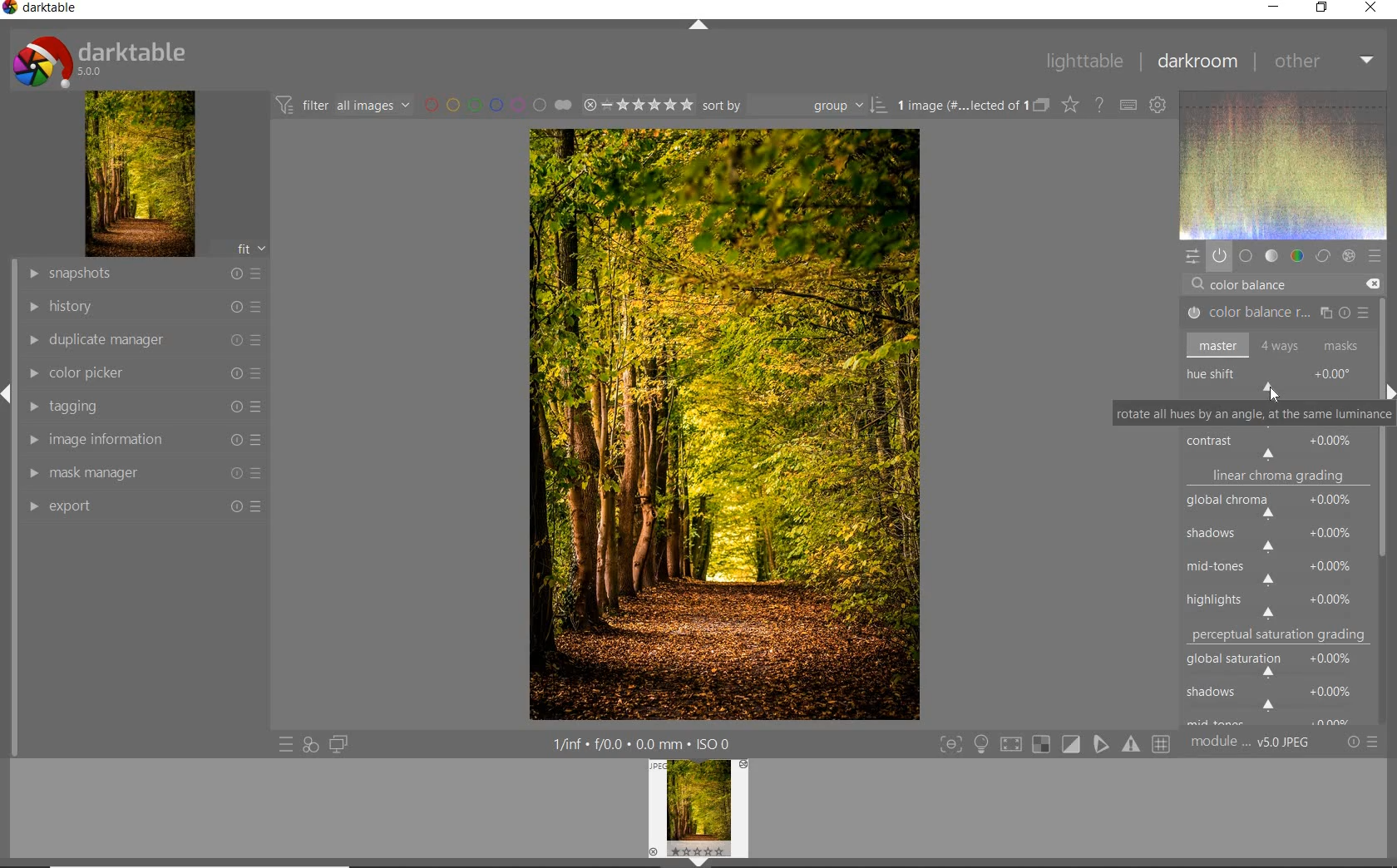 The height and width of the screenshot is (868, 1397). Describe the element at coordinates (1349, 254) in the screenshot. I see `effect` at that location.